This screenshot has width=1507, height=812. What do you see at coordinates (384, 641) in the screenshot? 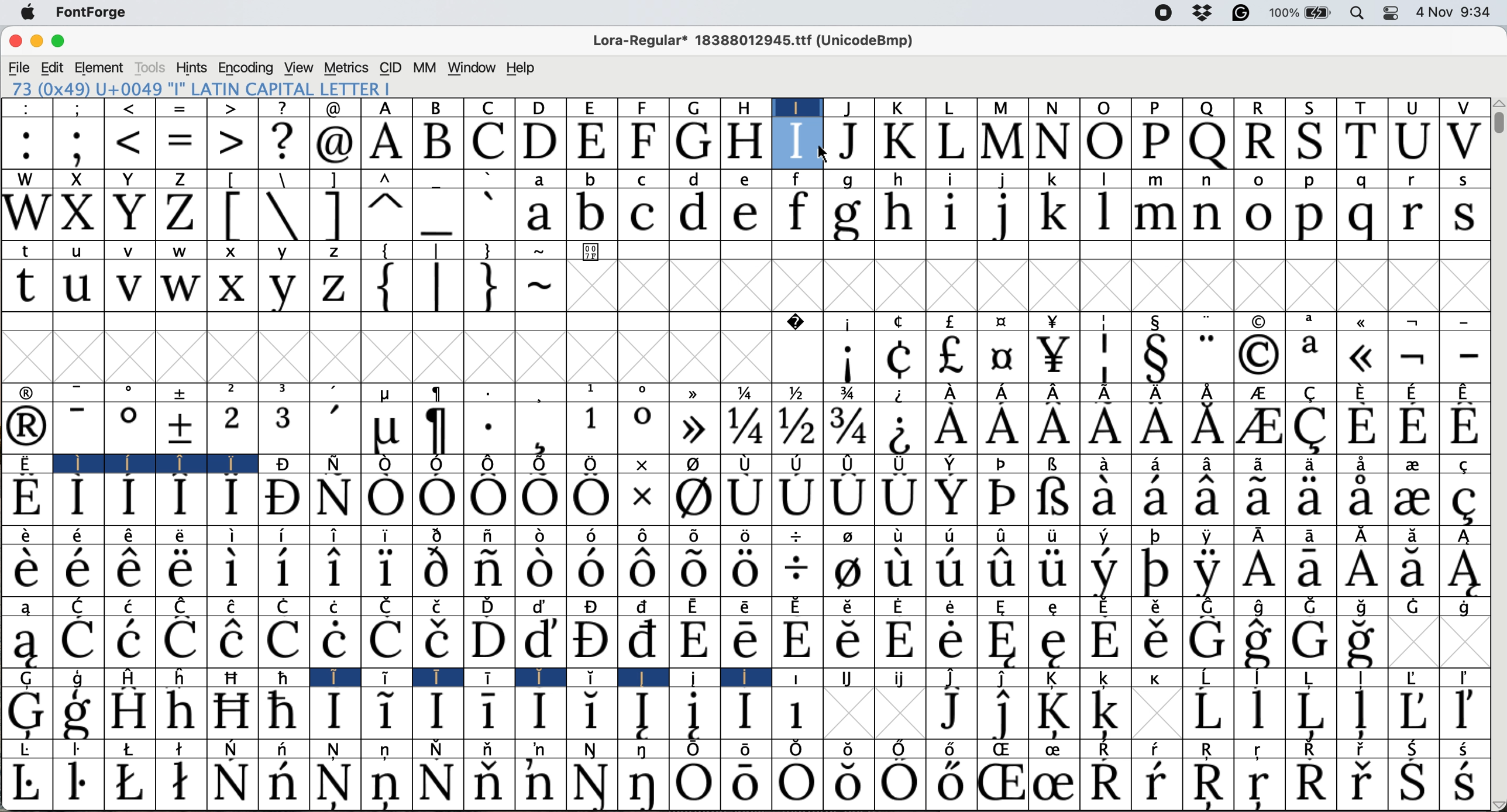
I see `Symbol` at bounding box center [384, 641].